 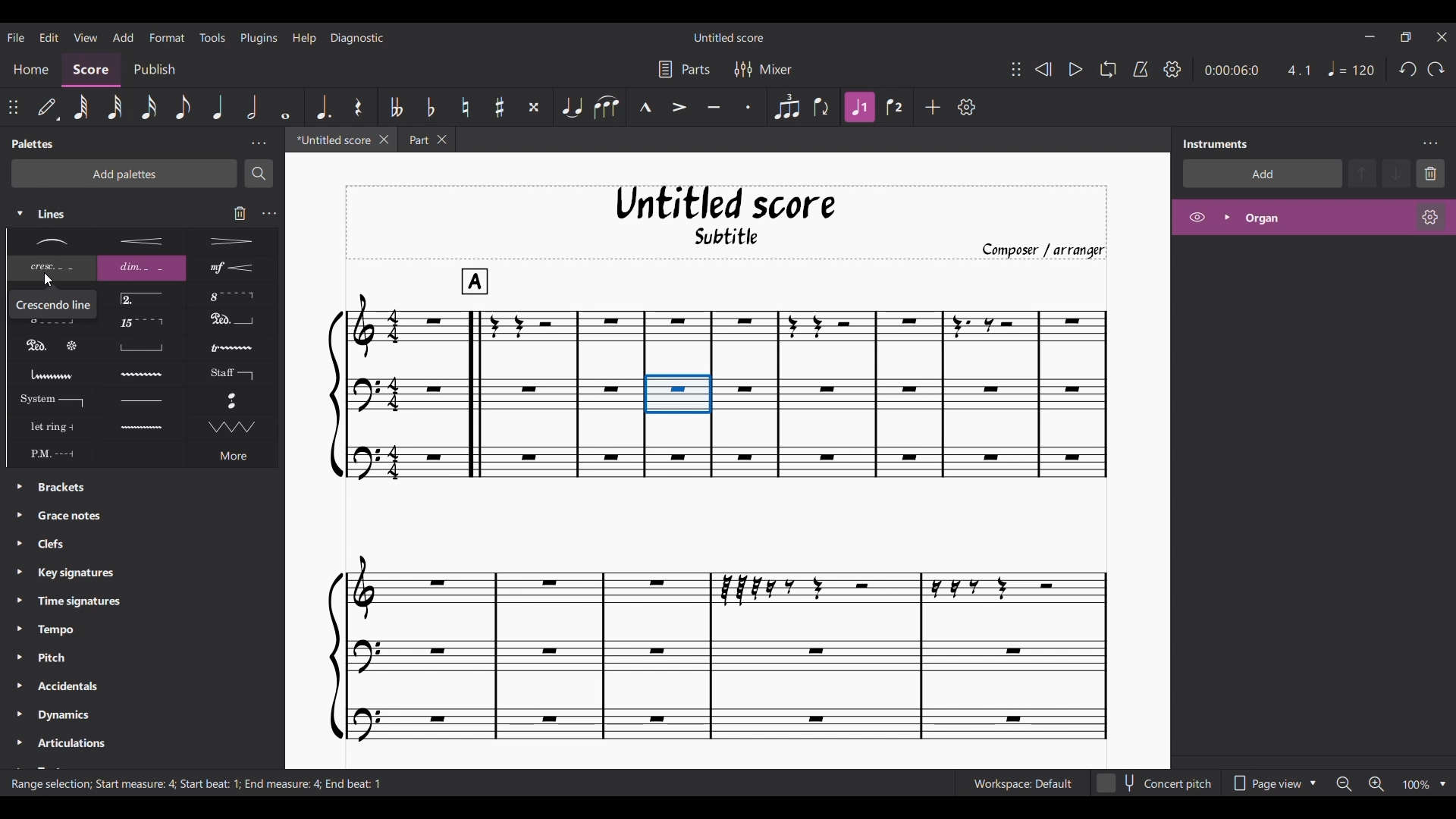 What do you see at coordinates (645, 107) in the screenshot?
I see `Marcato` at bounding box center [645, 107].